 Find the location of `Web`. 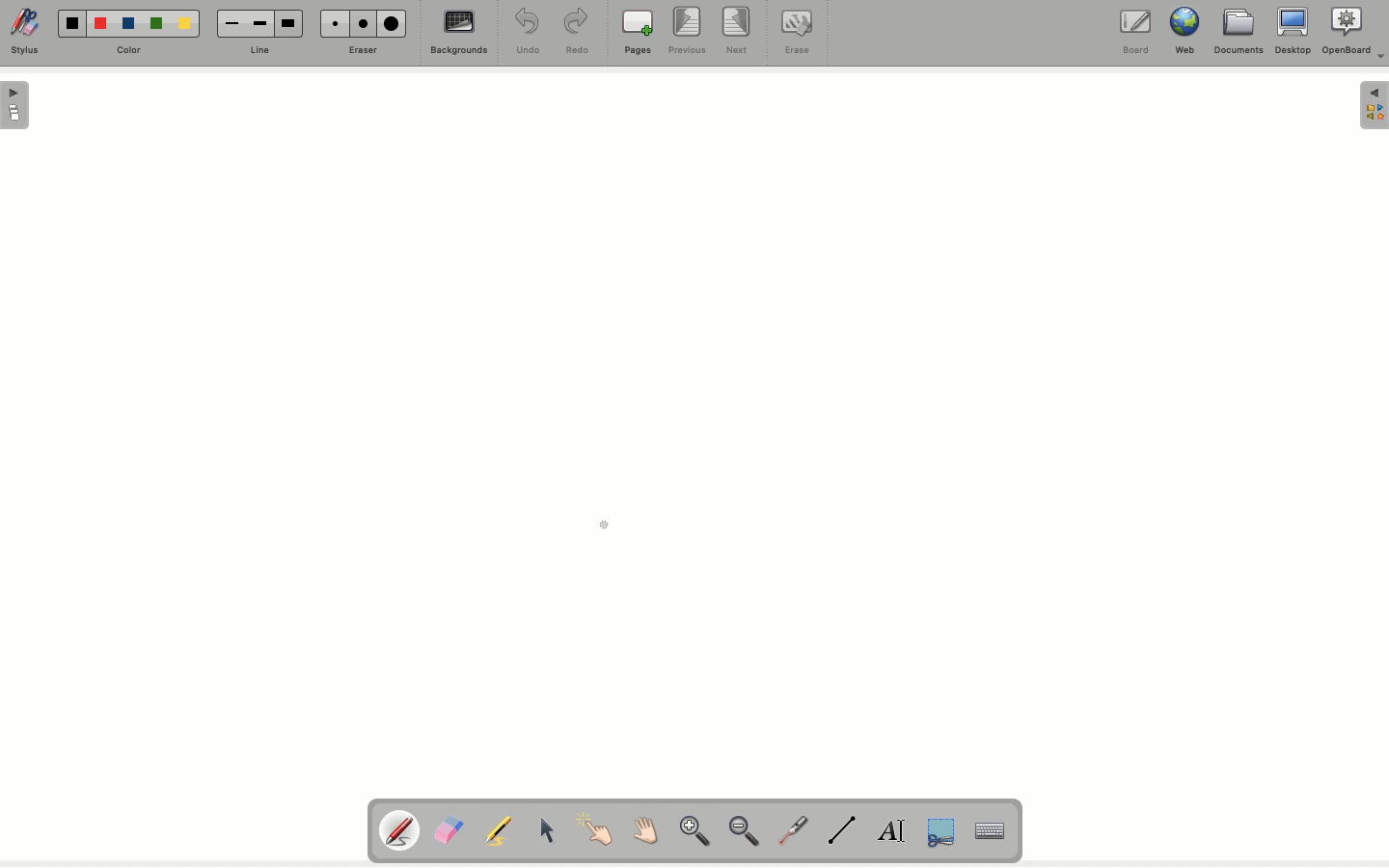

Web is located at coordinates (1187, 32).